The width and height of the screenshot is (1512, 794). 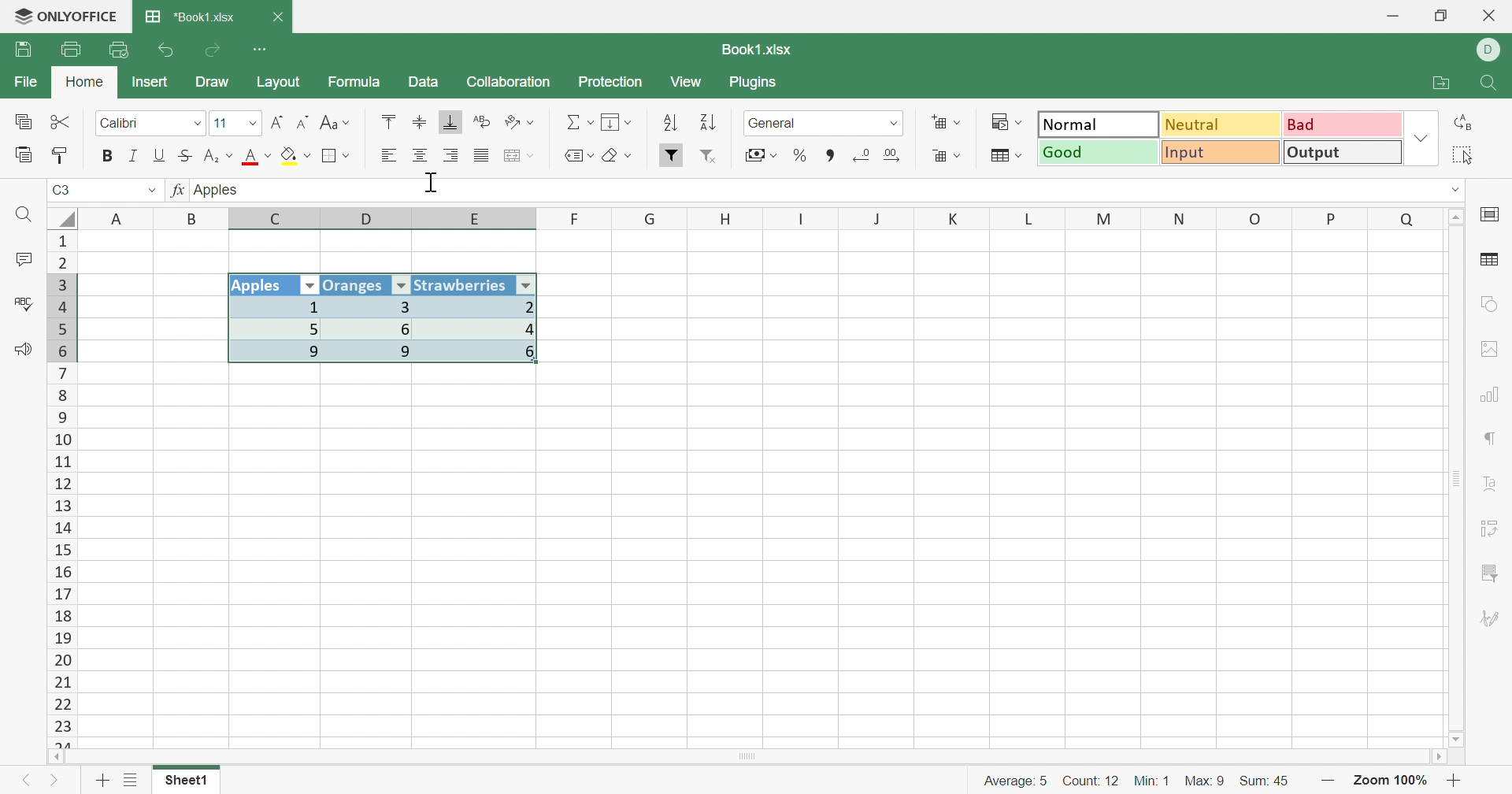 I want to click on M, so click(x=1104, y=218).